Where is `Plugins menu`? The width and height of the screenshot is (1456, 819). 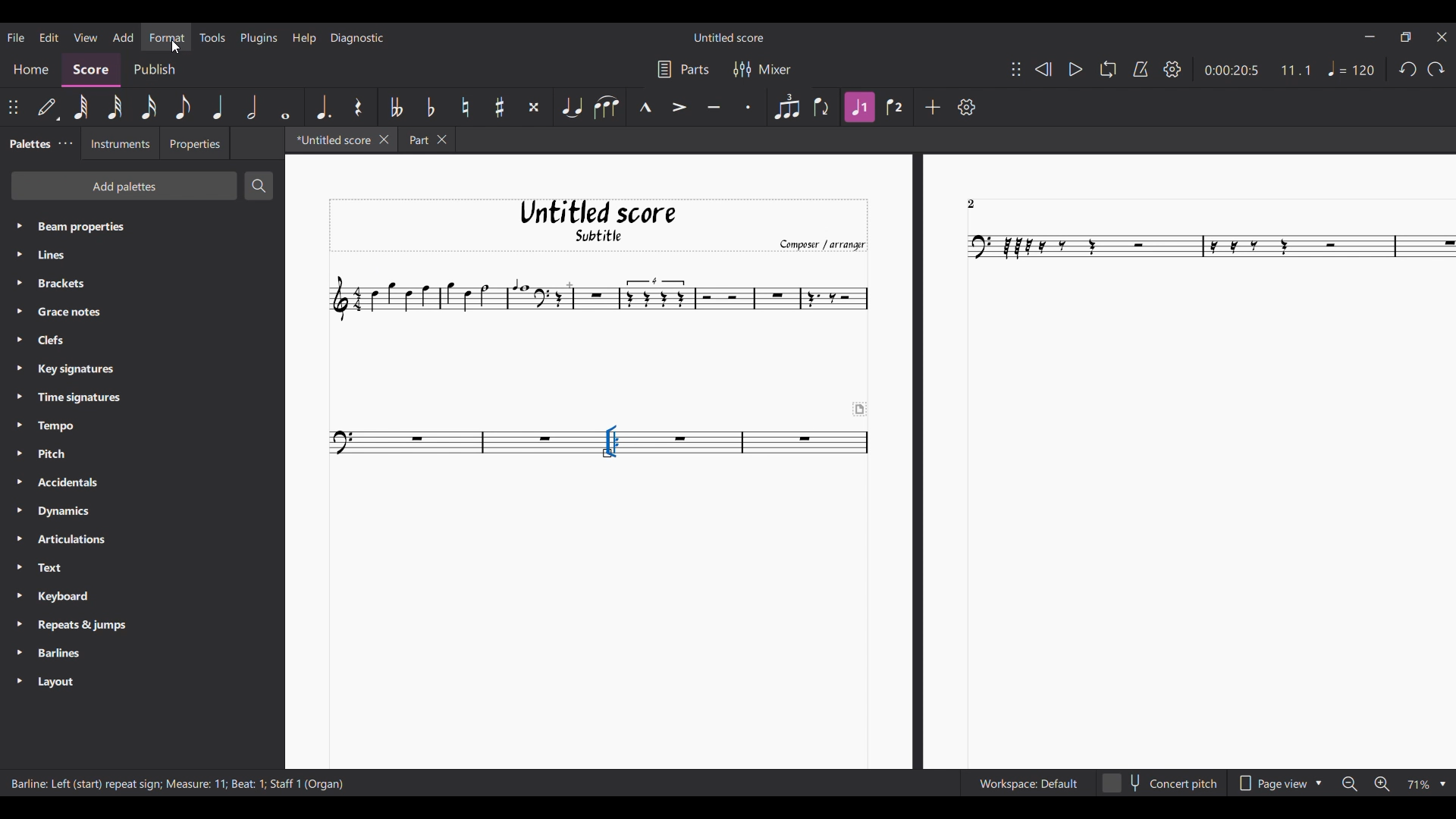 Plugins menu is located at coordinates (259, 39).